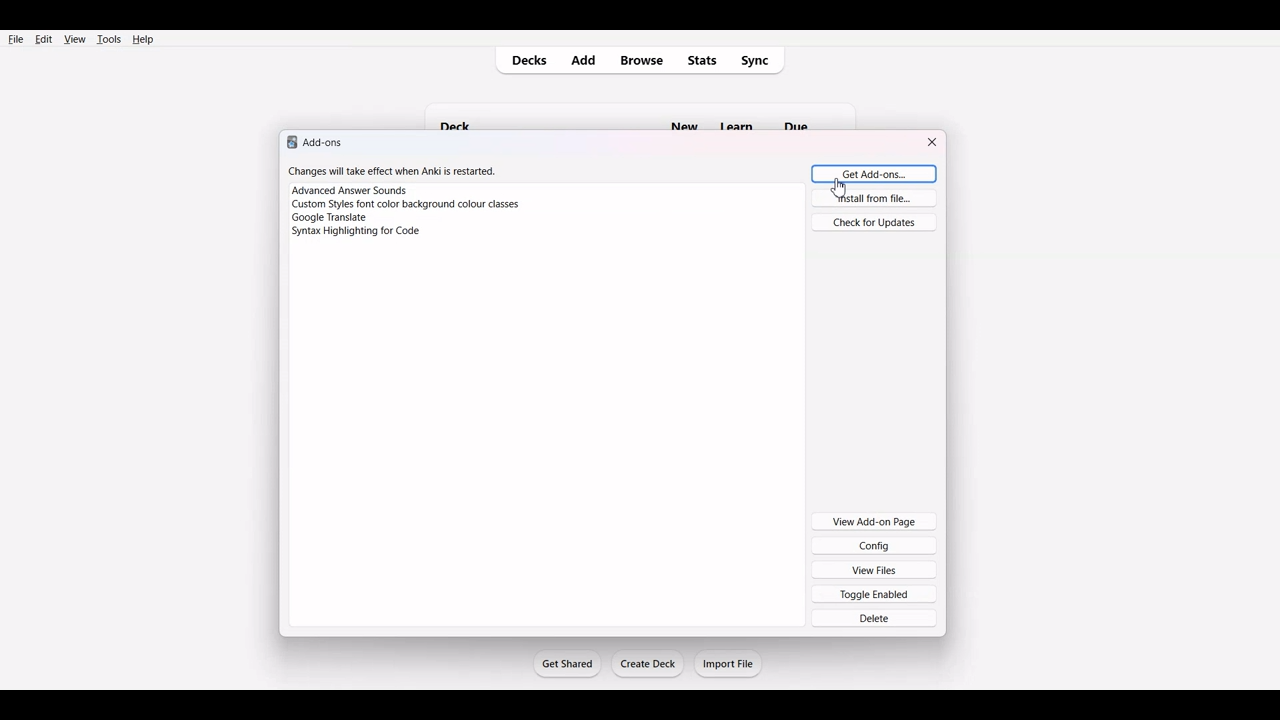  I want to click on , so click(808, 115).